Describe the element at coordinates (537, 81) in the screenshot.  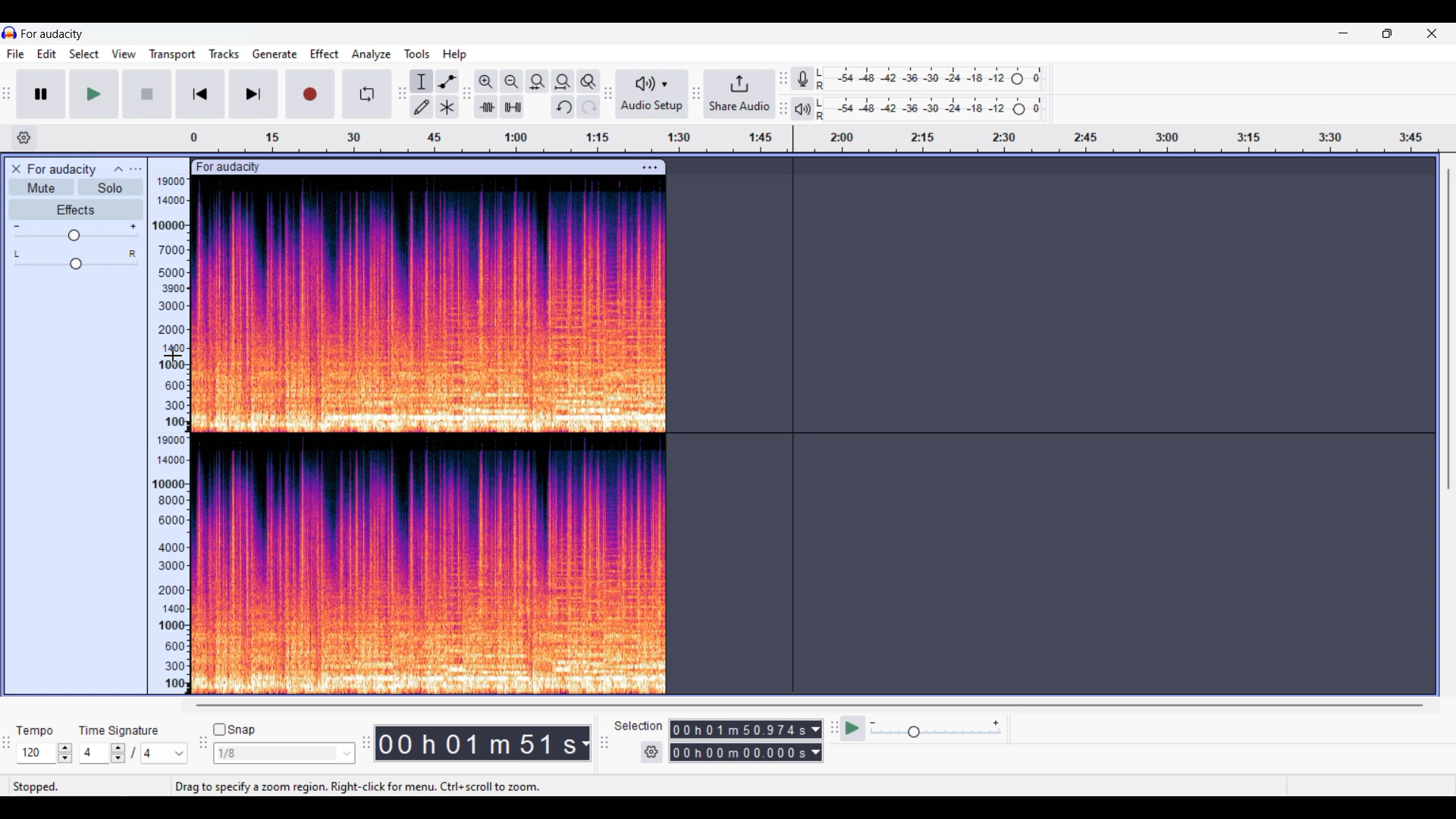
I see `Fit selection to width` at that location.